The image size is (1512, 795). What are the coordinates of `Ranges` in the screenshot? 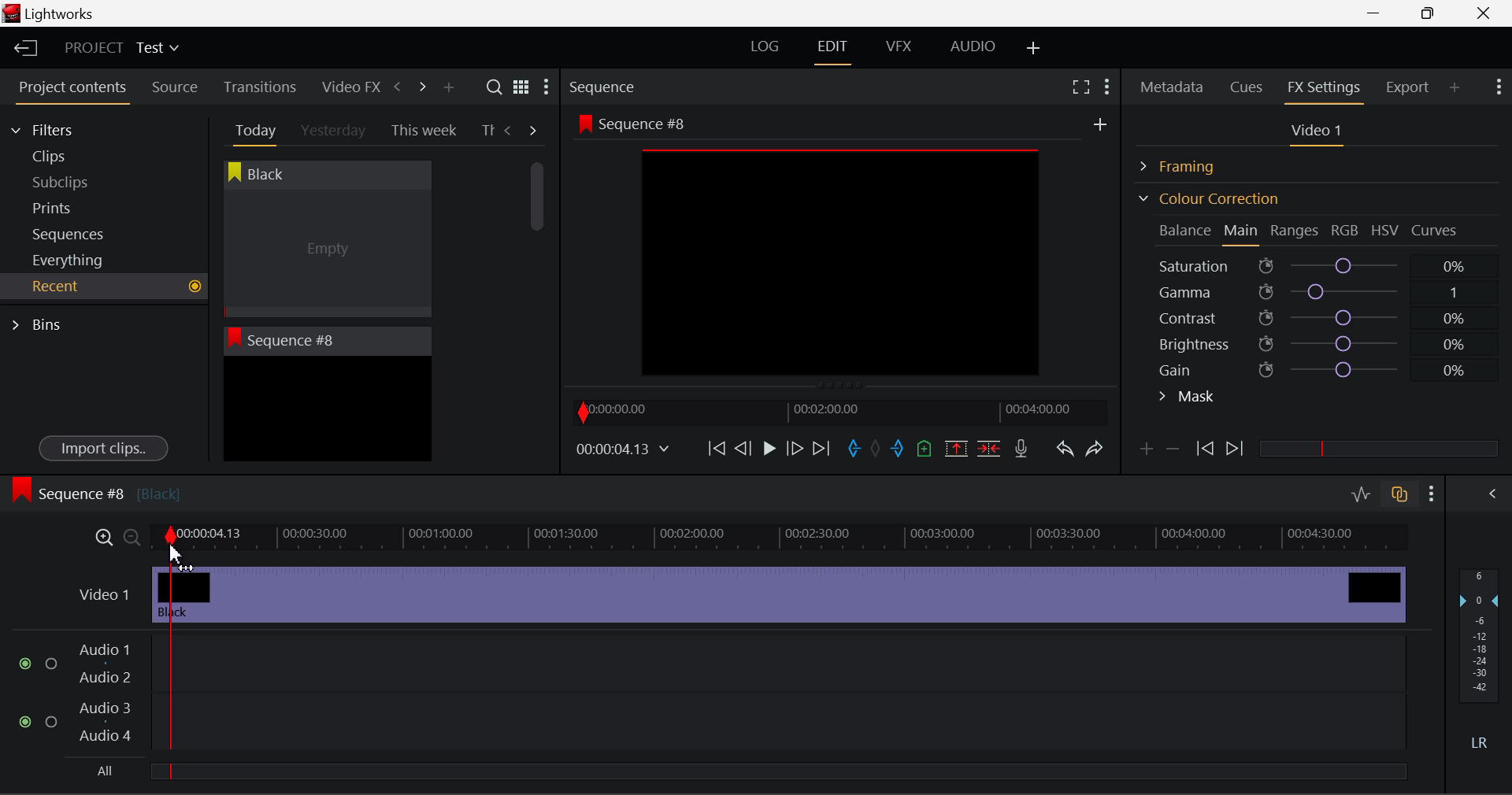 It's located at (1295, 232).